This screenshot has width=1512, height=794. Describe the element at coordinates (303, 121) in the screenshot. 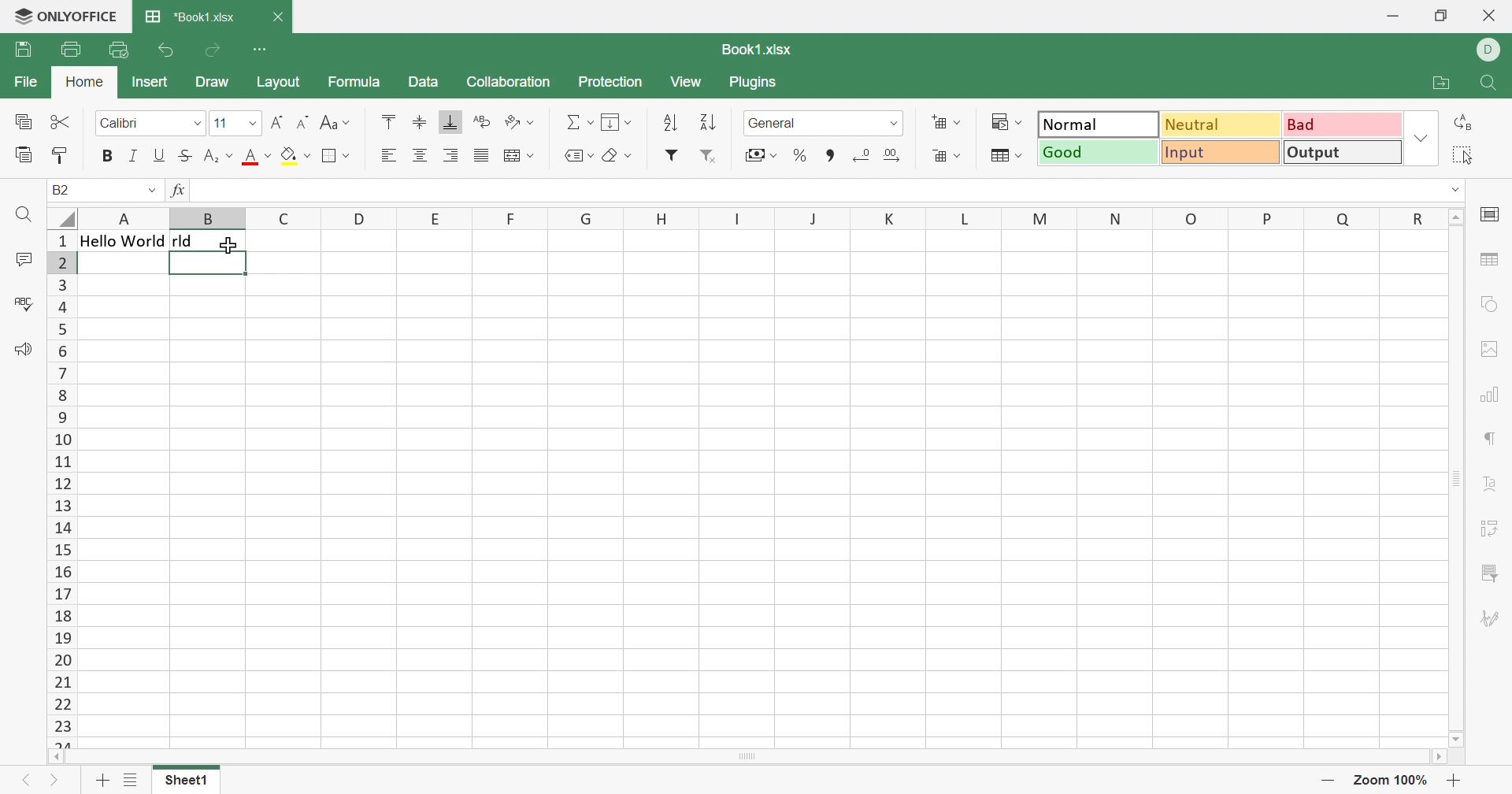

I see `Decrement font size` at that location.